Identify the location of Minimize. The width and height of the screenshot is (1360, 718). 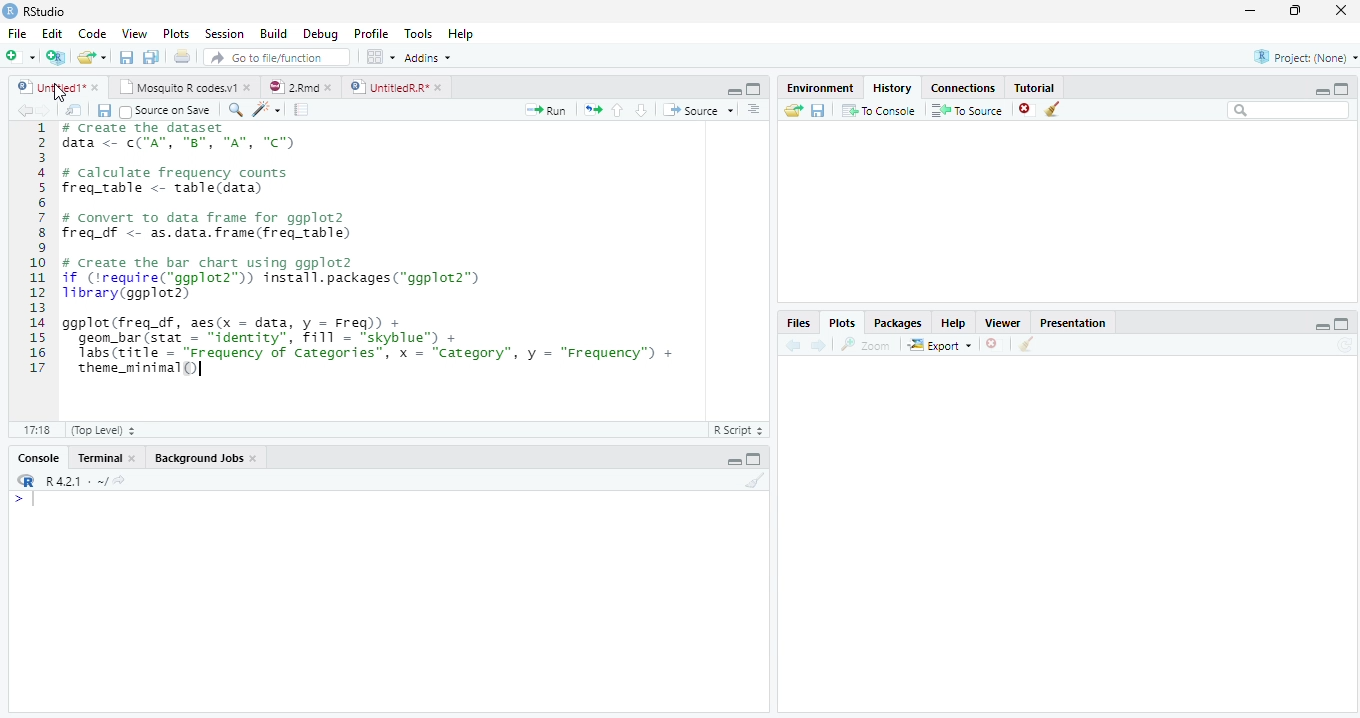
(731, 90).